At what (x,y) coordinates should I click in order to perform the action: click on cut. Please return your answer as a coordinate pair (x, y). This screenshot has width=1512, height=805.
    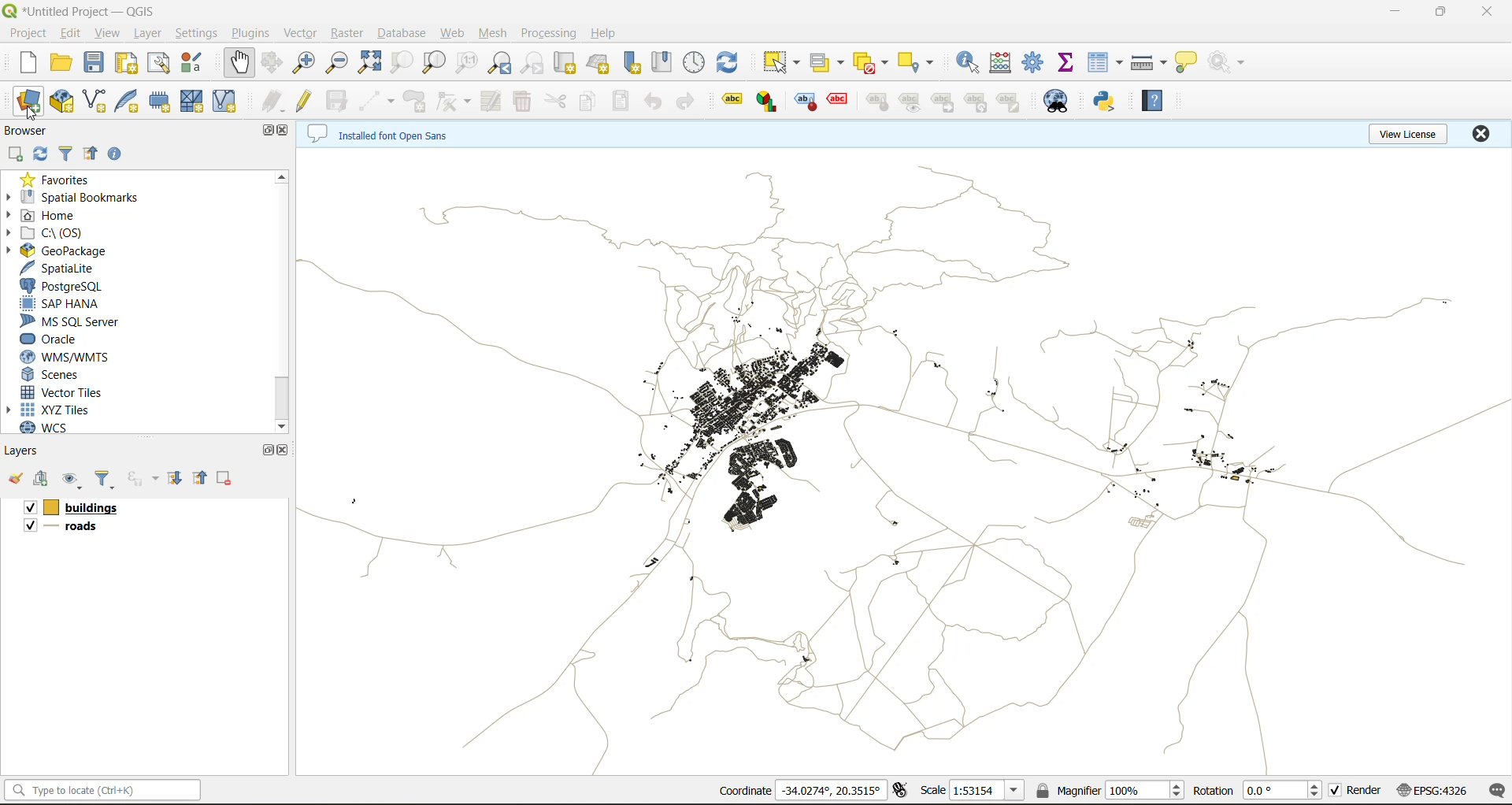
    Looking at the image, I should click on (555, 103).